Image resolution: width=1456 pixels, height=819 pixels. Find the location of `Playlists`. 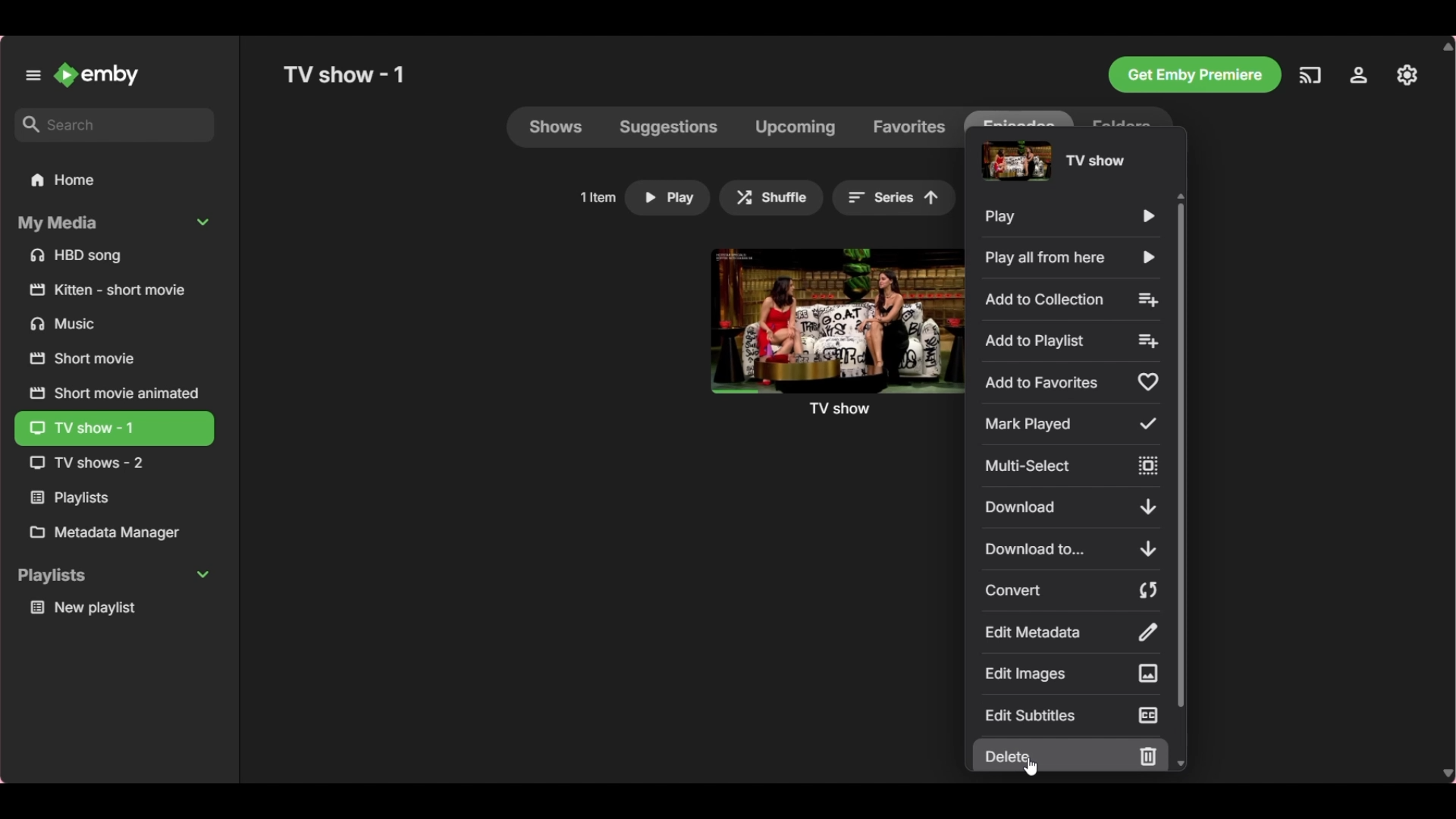

Playlists is located at coordinates (114, 498).